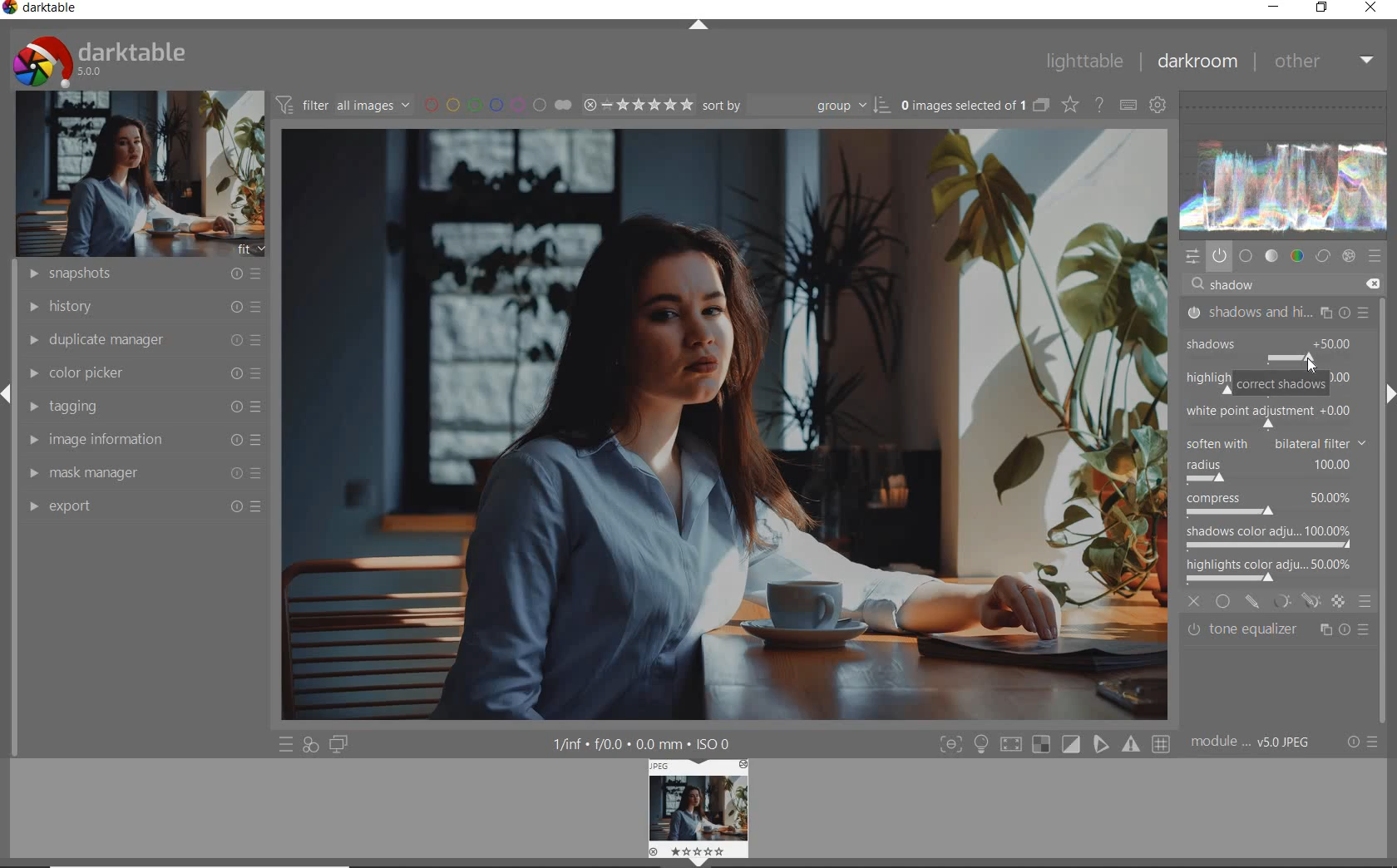 This screenshot has width=1397, height=868. Describe the element at coordinates (1279, 312) in the screenshot. I see `shadows & highlights` at that location.